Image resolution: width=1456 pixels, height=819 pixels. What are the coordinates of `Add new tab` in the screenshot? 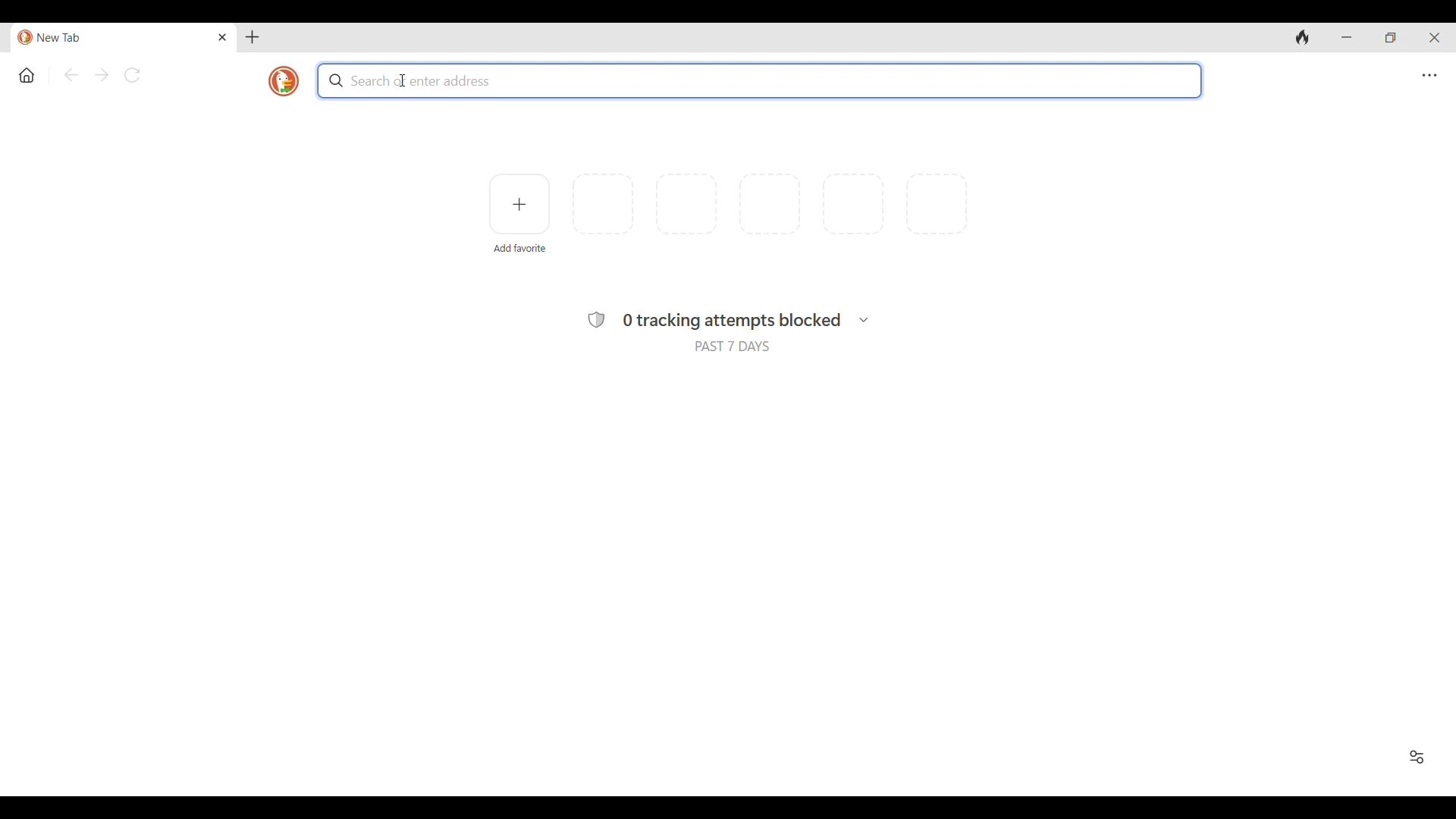 It's located at (252, 37).